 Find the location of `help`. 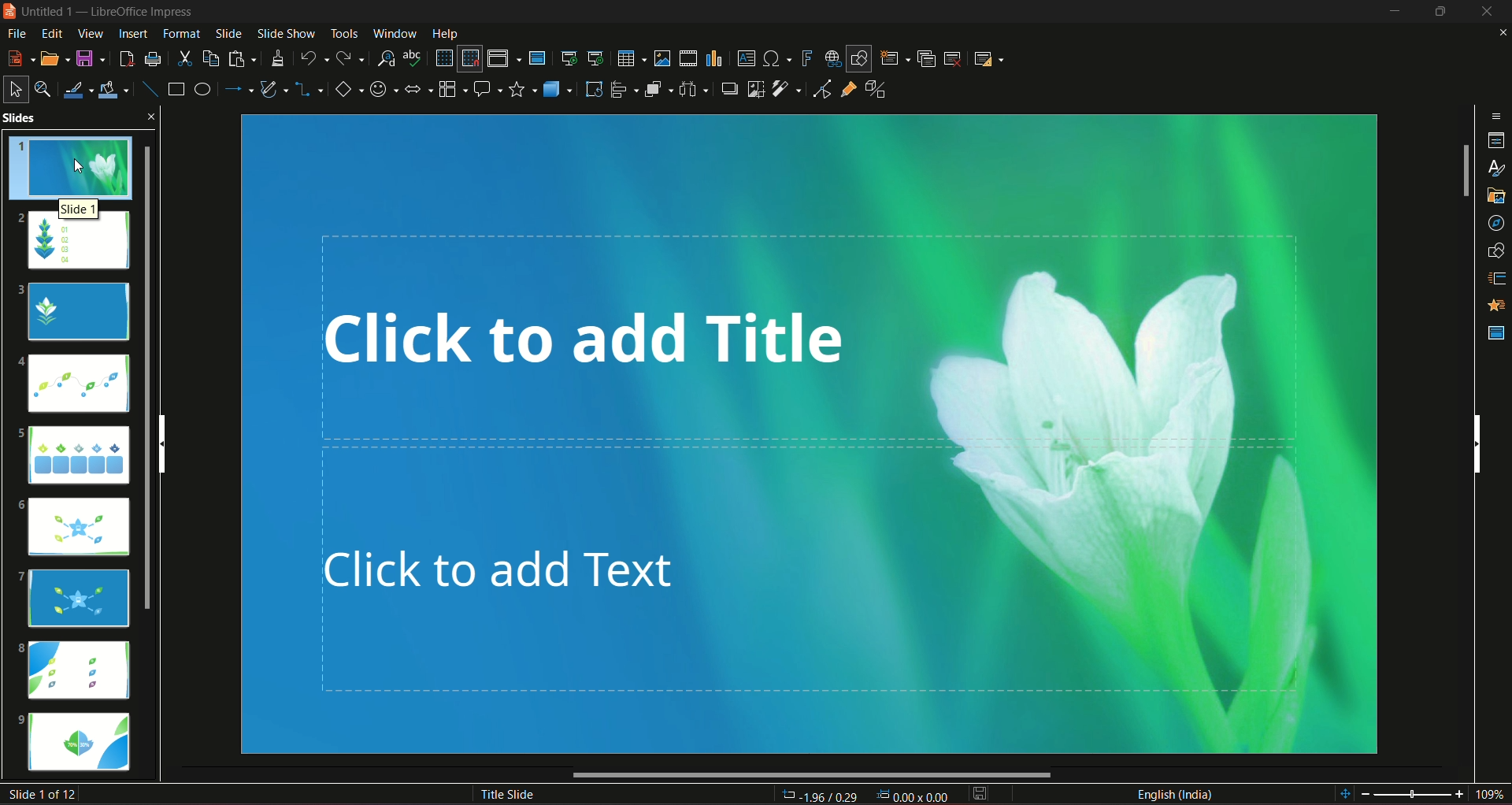

help is located at coordinates (445, 32).